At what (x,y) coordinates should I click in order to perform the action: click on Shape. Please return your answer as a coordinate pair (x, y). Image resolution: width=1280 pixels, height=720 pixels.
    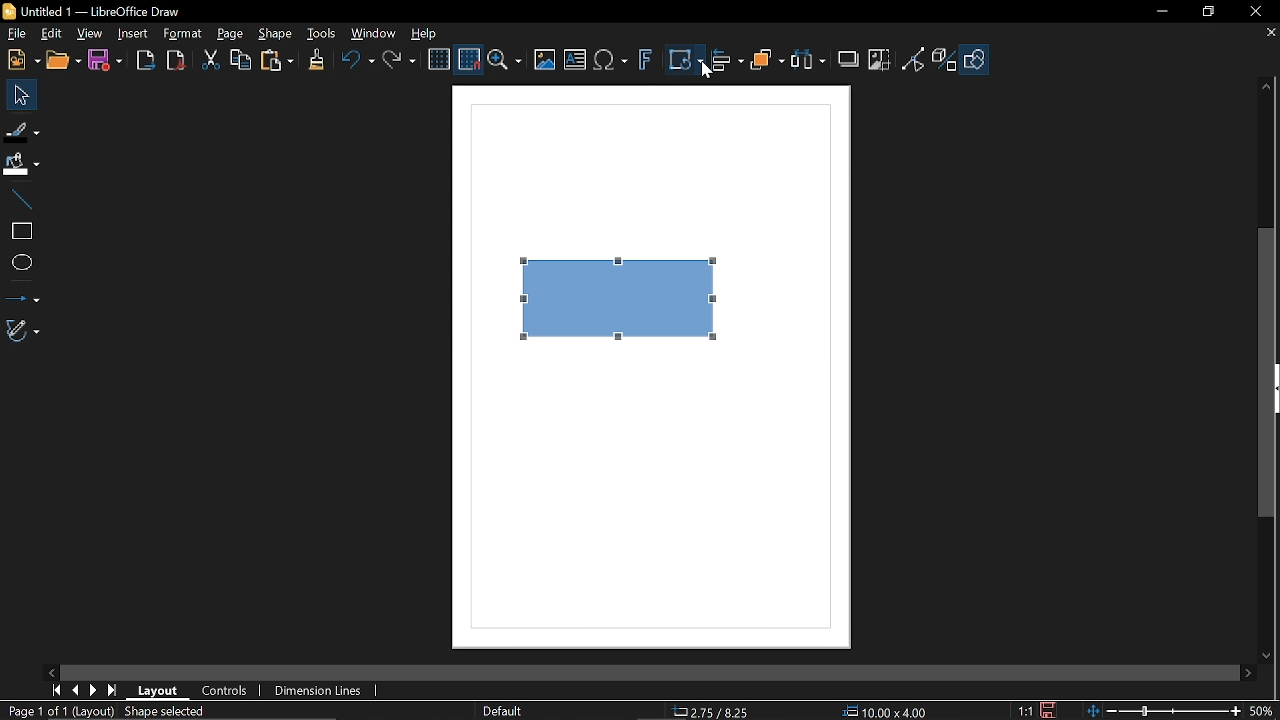
    Looking at the image, I should click on (278, 35).